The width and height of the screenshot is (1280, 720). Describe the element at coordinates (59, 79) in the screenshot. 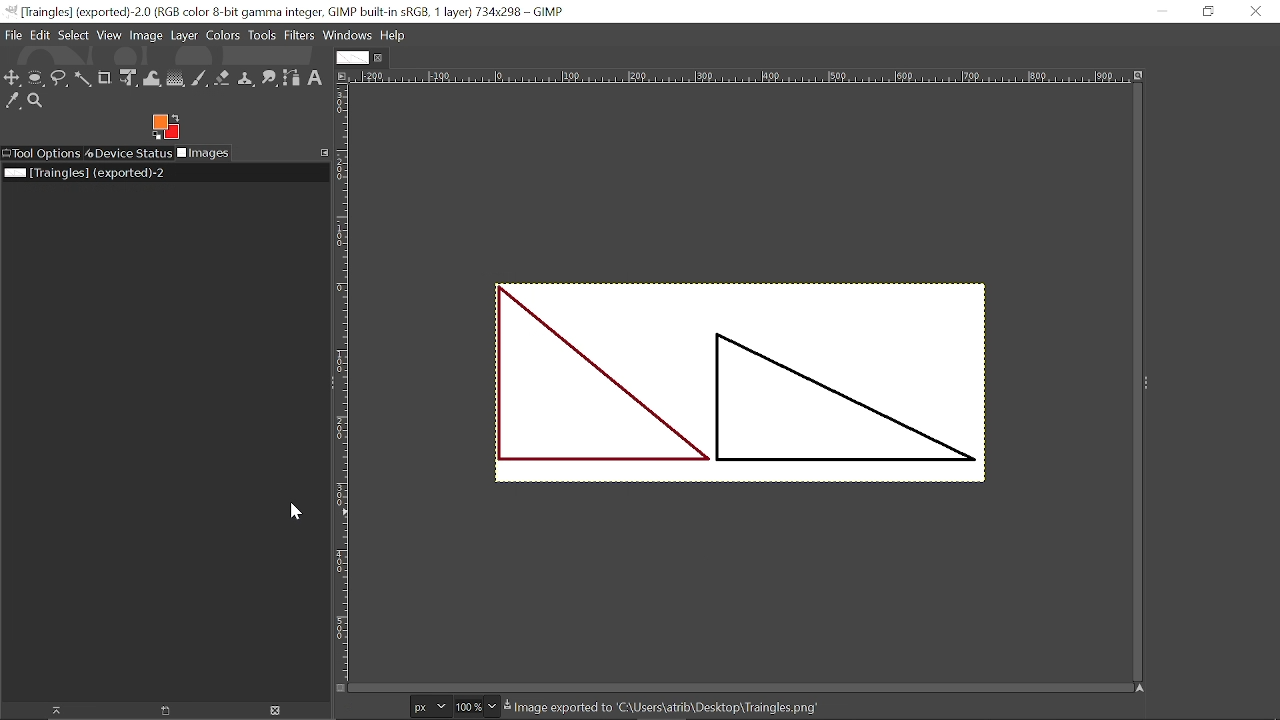

I see `Free select tool` at that location.